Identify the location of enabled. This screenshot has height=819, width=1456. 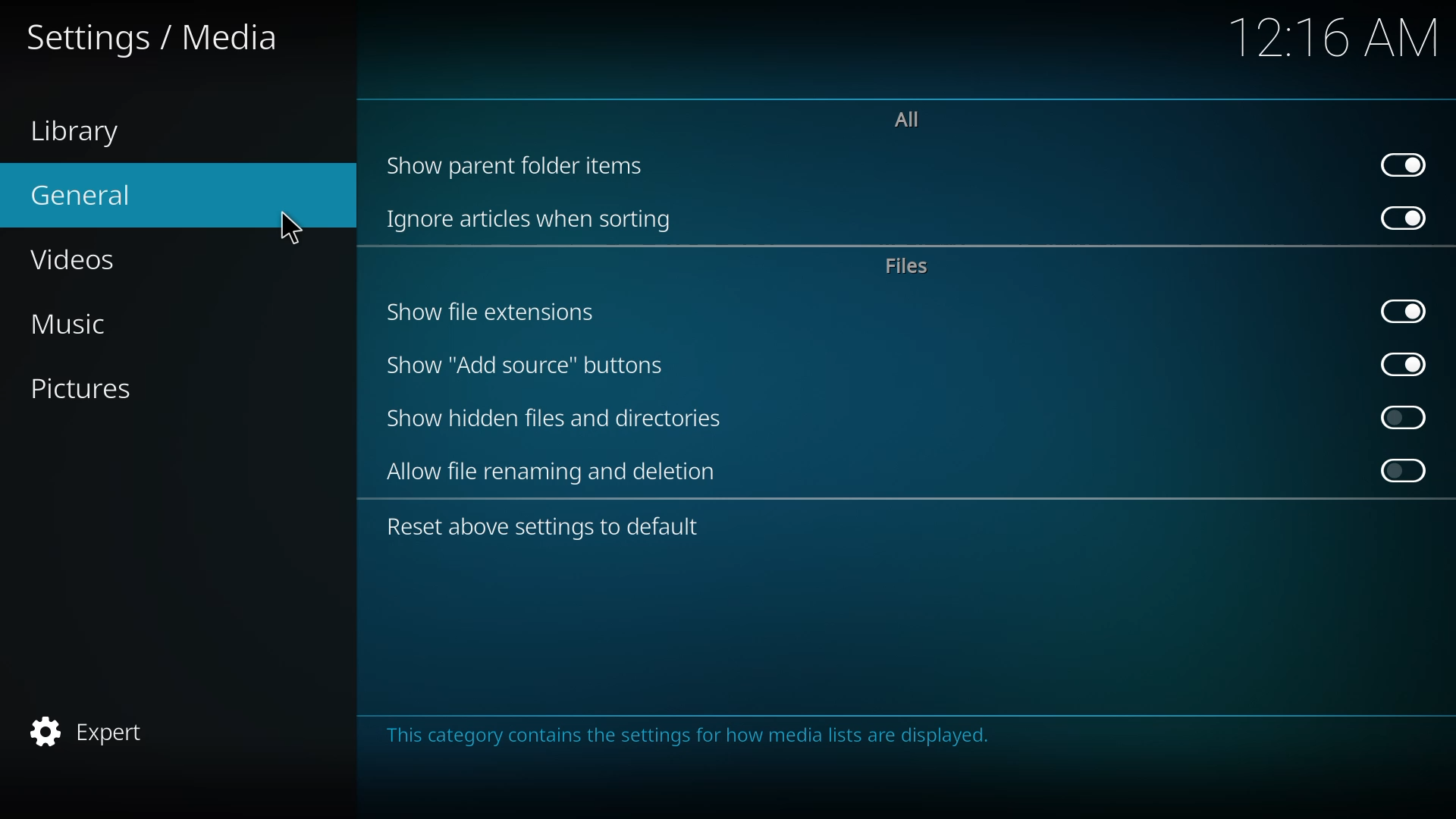
(1406, 162).